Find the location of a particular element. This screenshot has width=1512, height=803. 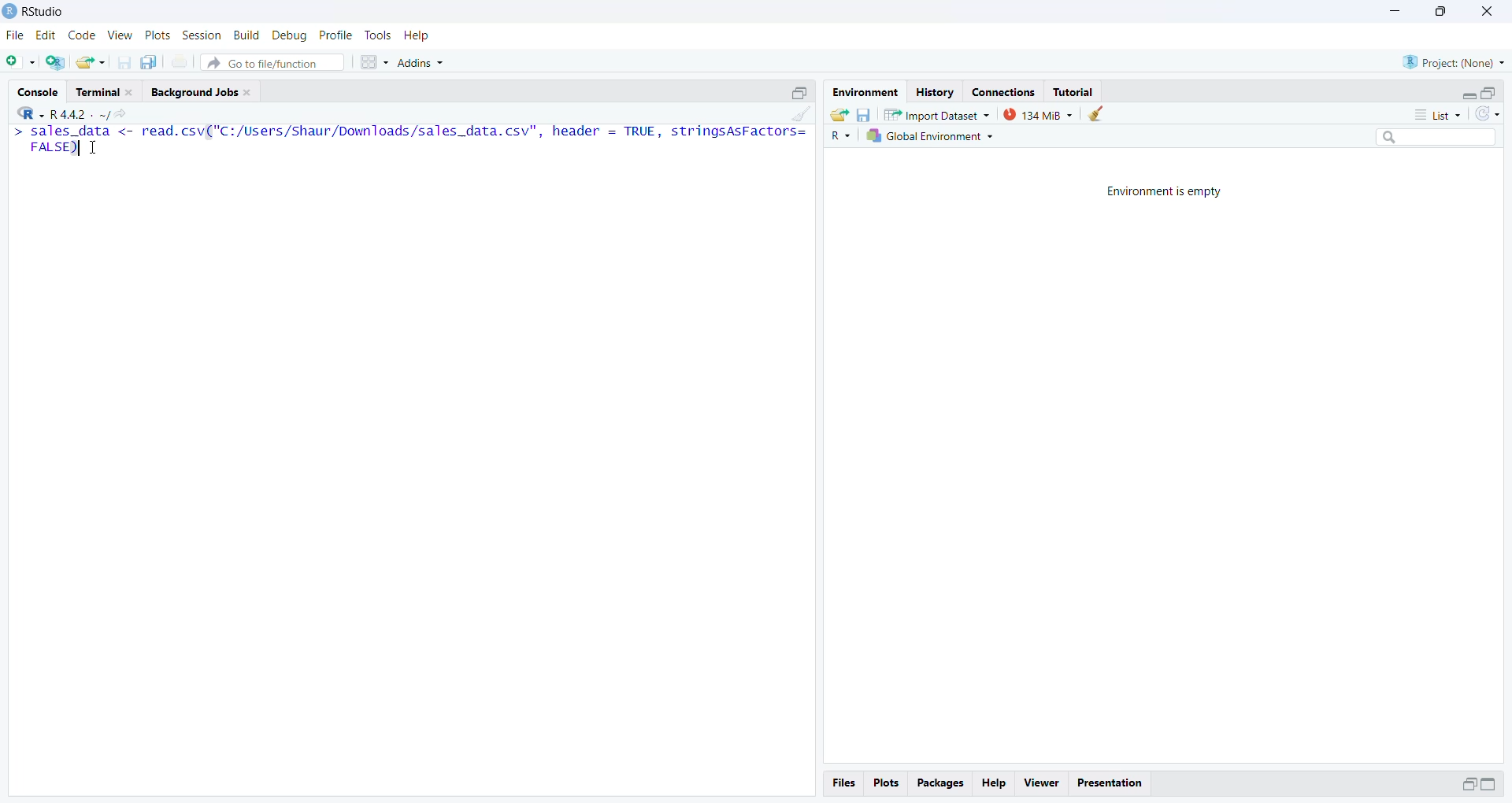

Connections is located at coordinates (1003, 92).